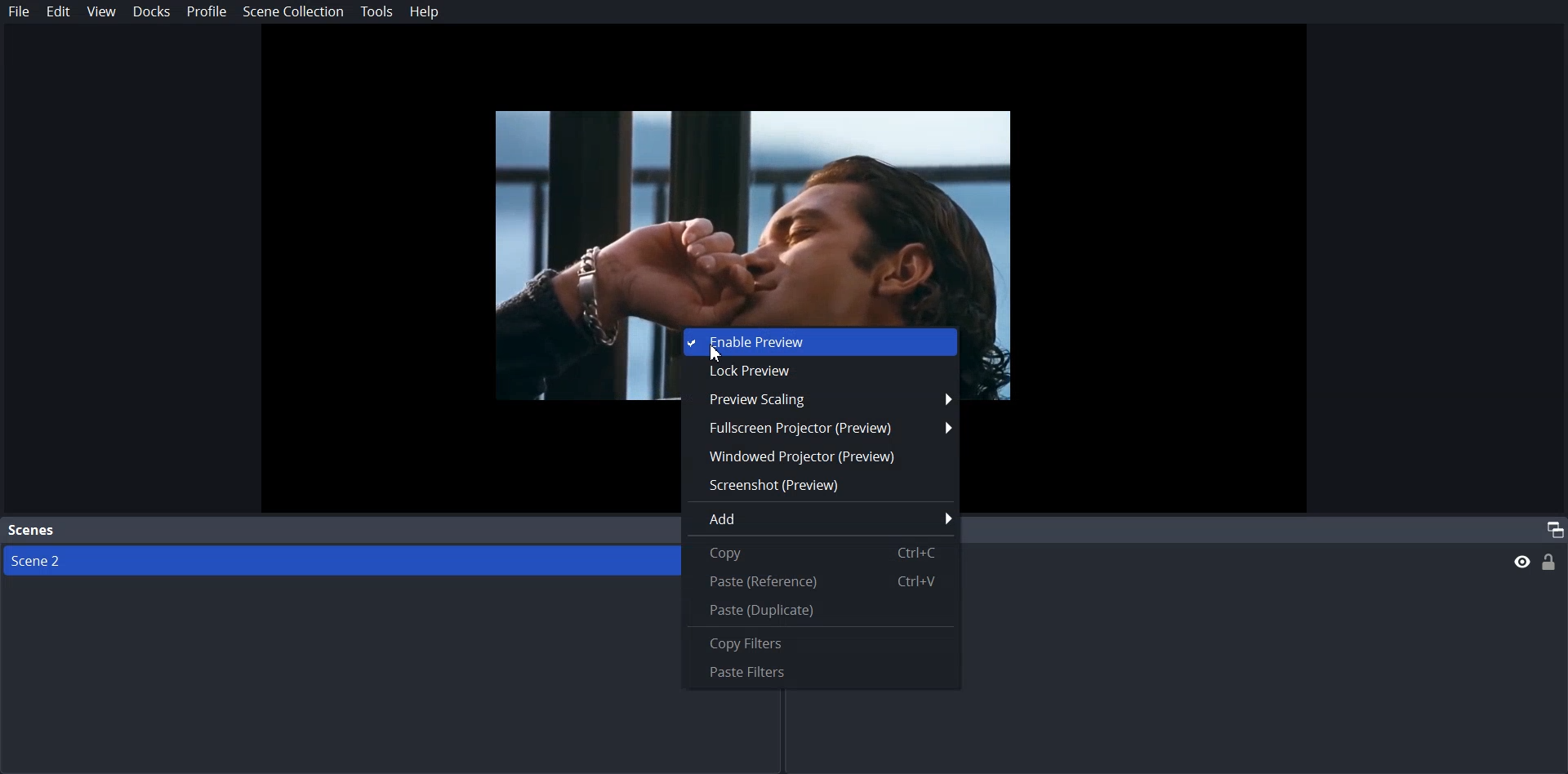  What do you see at coordinates (1521, 562) in the screenshot?
I see `hide/display` at bounding box center [1521, 562].